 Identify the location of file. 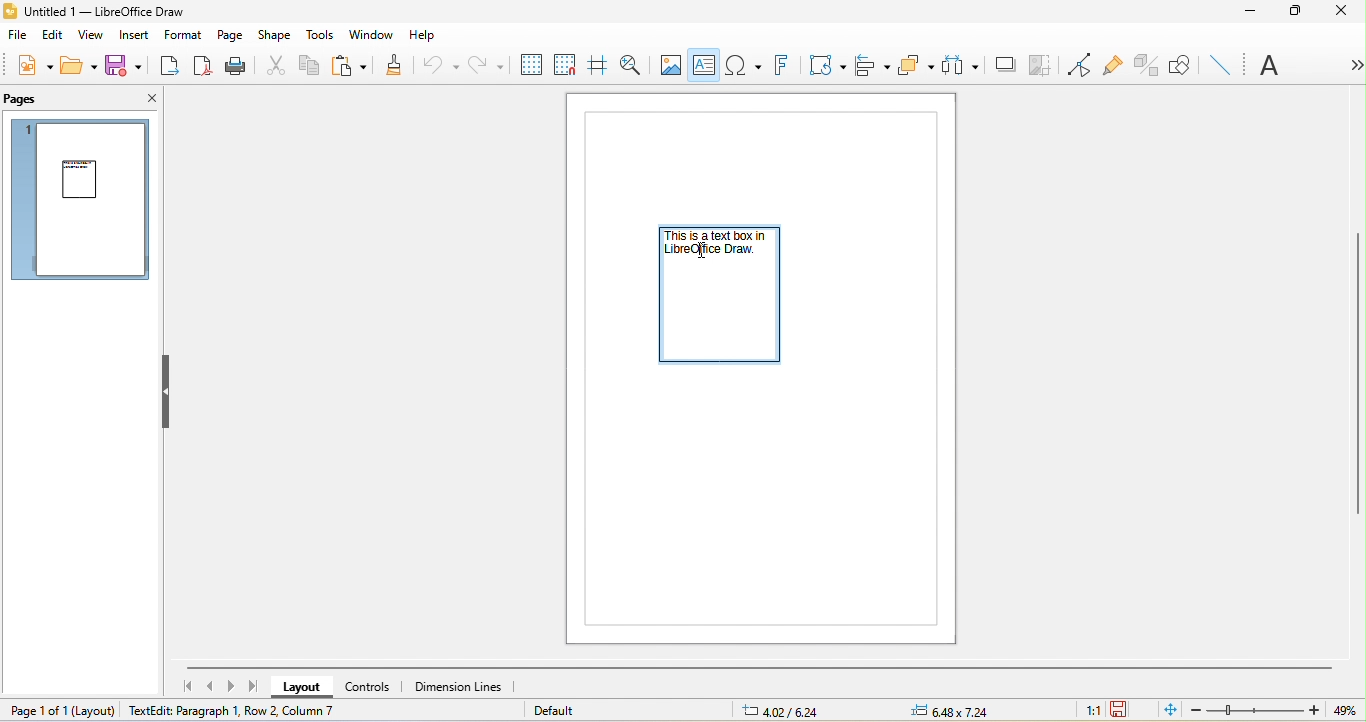
(20, 36).